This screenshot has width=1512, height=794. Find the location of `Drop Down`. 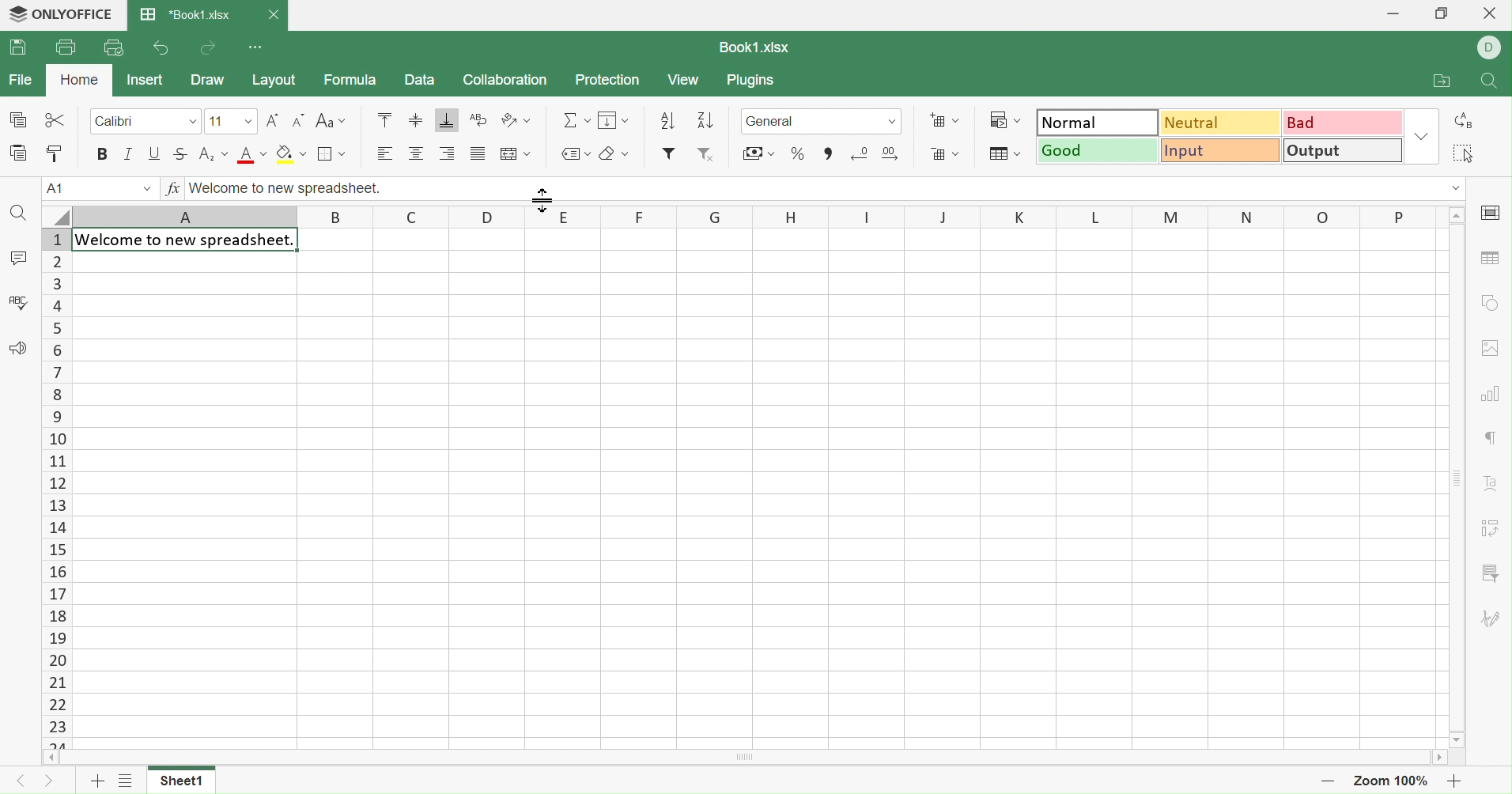

Drop Down is located at coordinates (1453, 189).